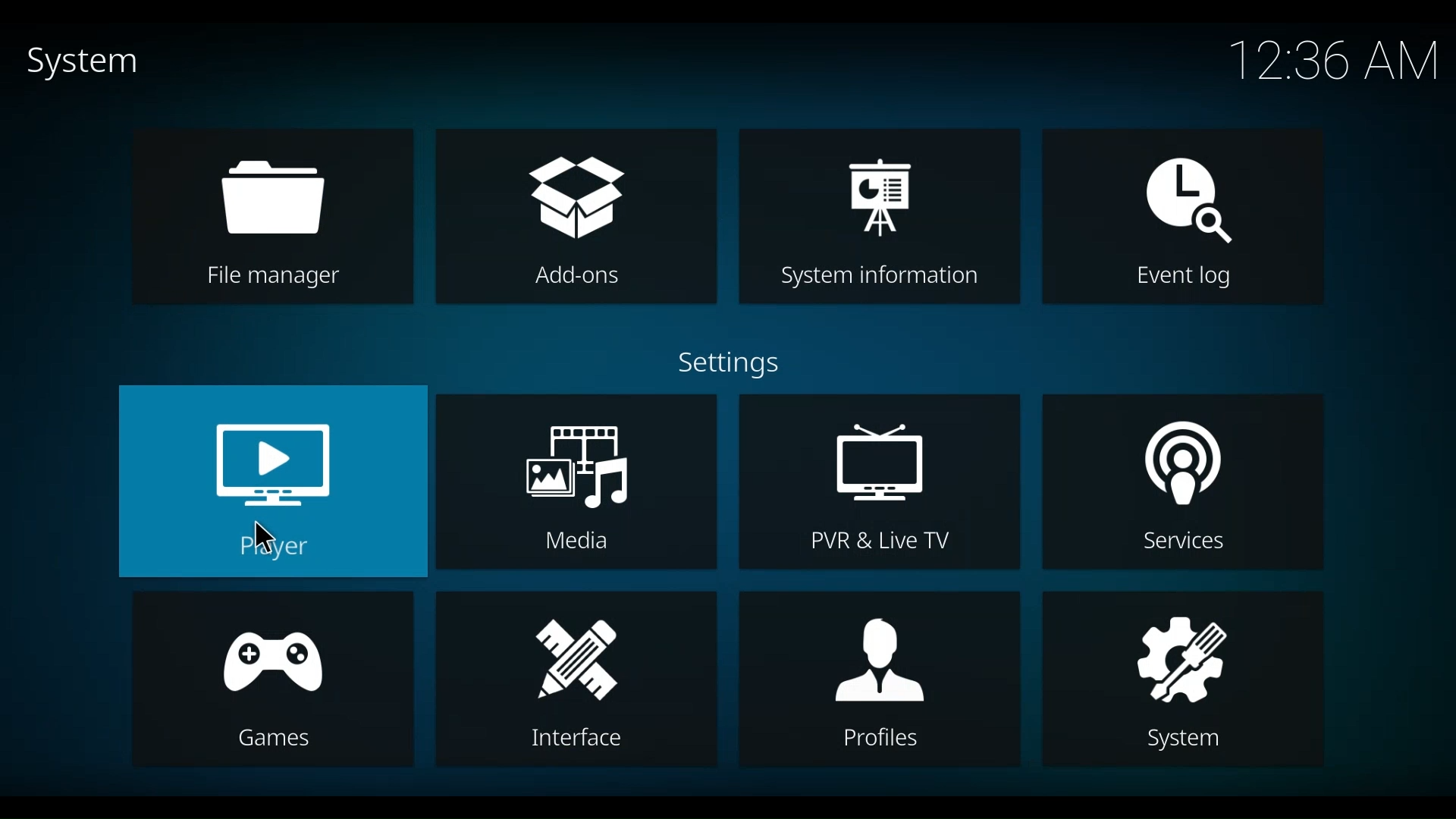 Image resolution: width=1456 pixels, height=819 pixels. What do you see at coordinates (262, 539) in the screenshot?
I see `Cursor` at bounding box center [262, 539].